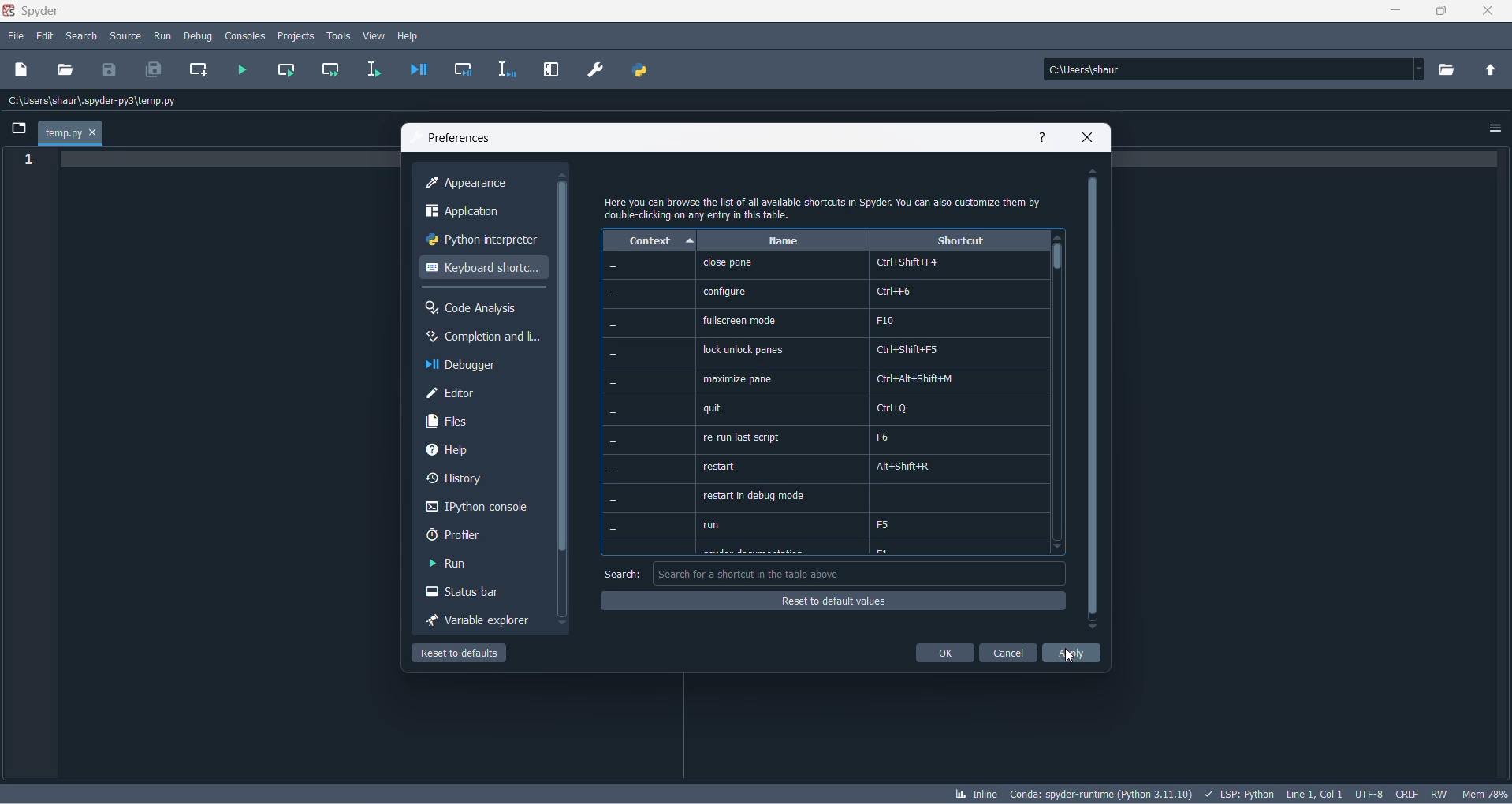 The image size is (1512, 804). What do you see at coordinates (549, 71) in the screenshot?
I see `MAXIMIZE CURRENT PANE` at bounding box center [549, 71].